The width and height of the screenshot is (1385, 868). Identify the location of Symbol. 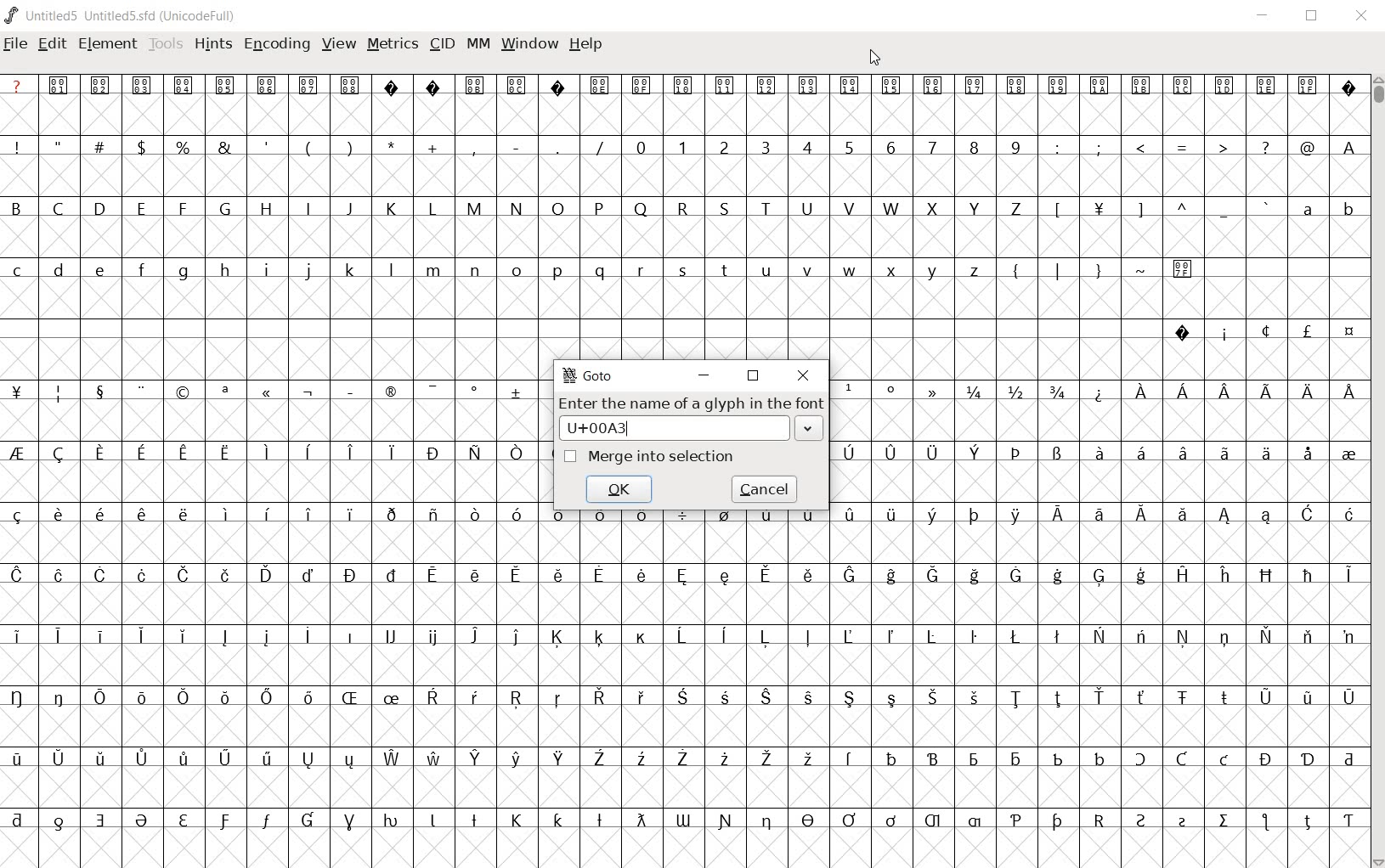
(1057, 576).